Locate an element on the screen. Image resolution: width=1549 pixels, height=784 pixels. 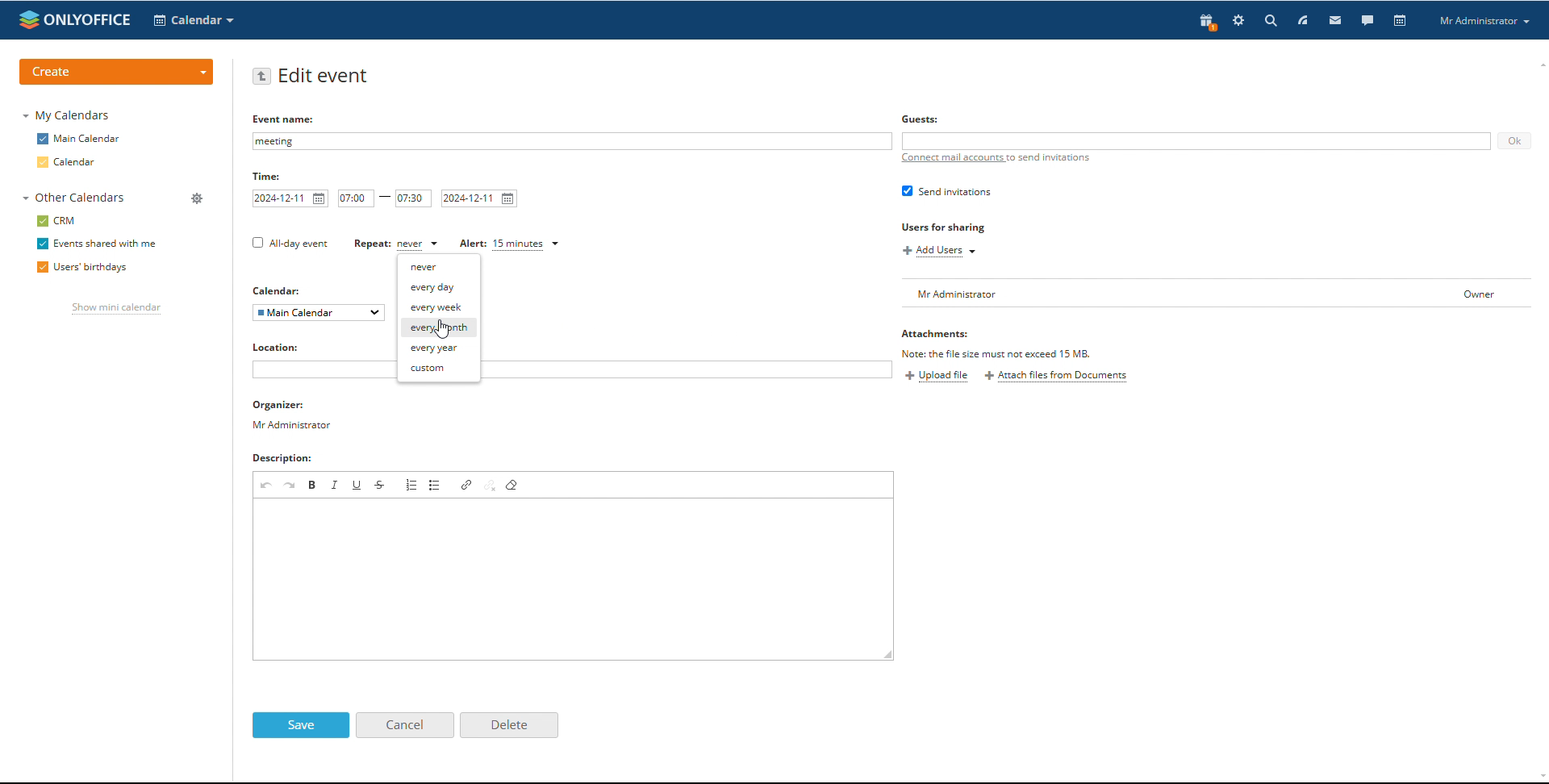
profile is located at coordinates (1484, 21).